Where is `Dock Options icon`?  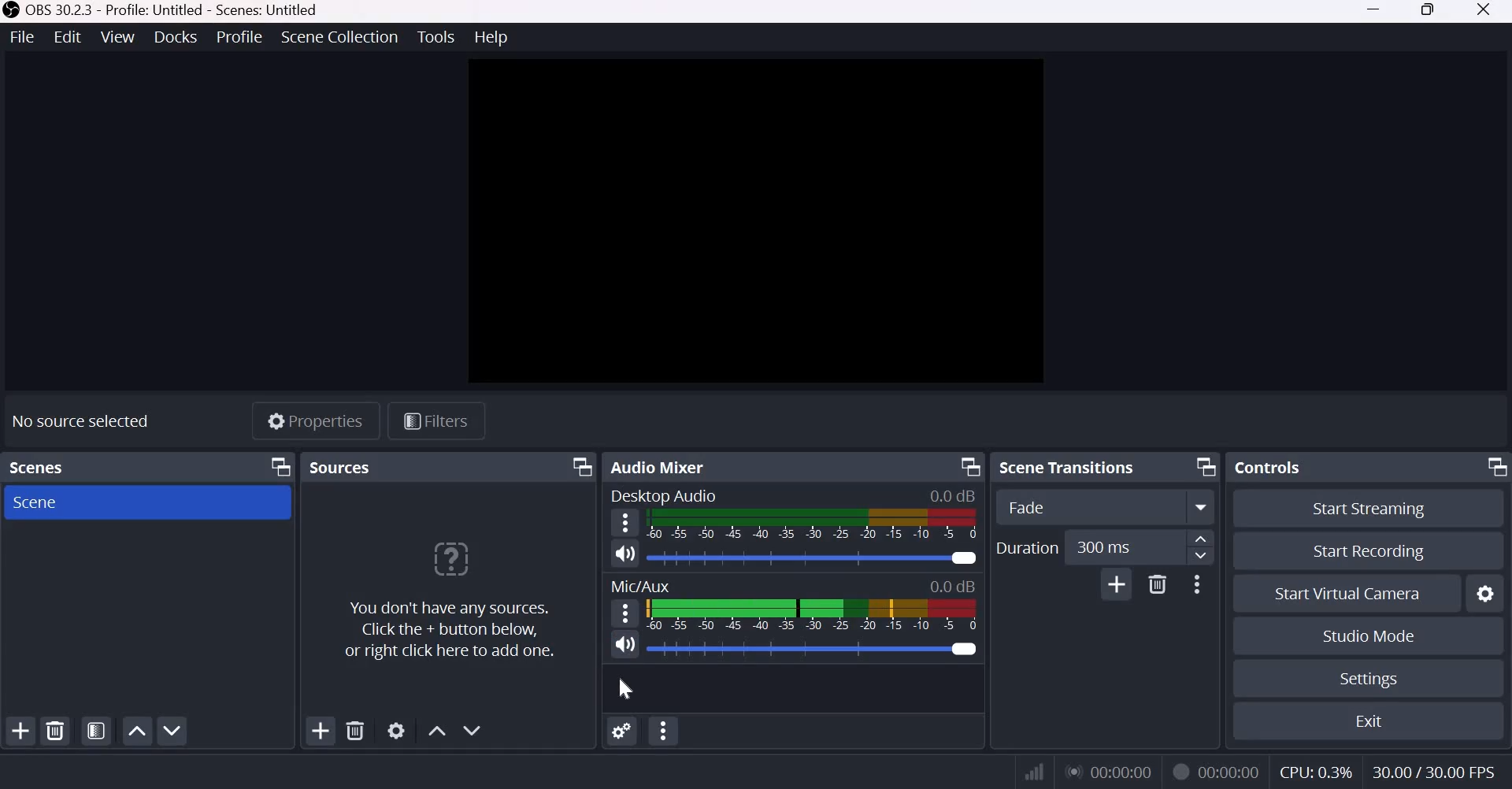 Dock Options icon is located at coordinates (965, 467).